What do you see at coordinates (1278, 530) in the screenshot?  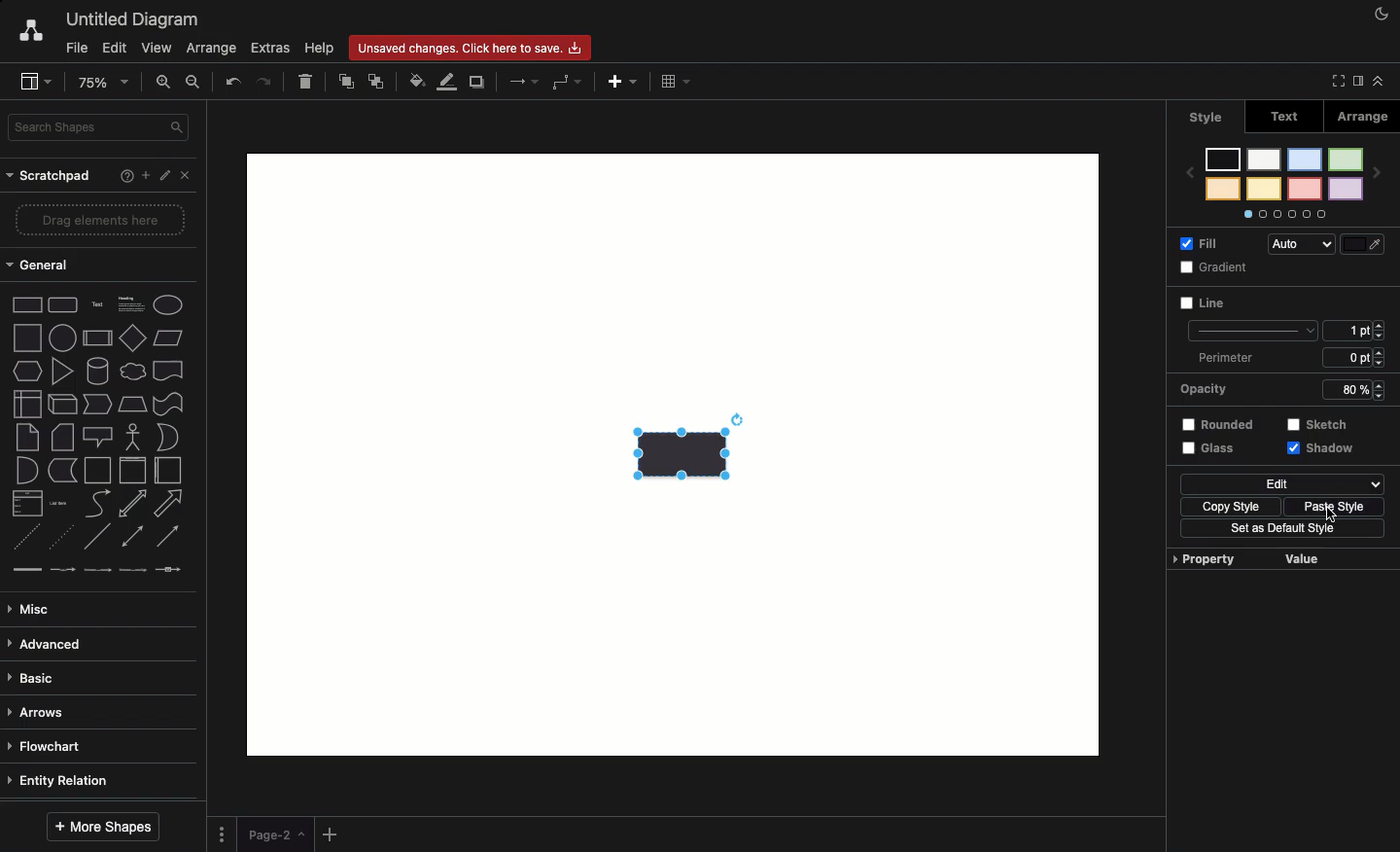 I see `Set as default style` at bounding box center [1278, 530].